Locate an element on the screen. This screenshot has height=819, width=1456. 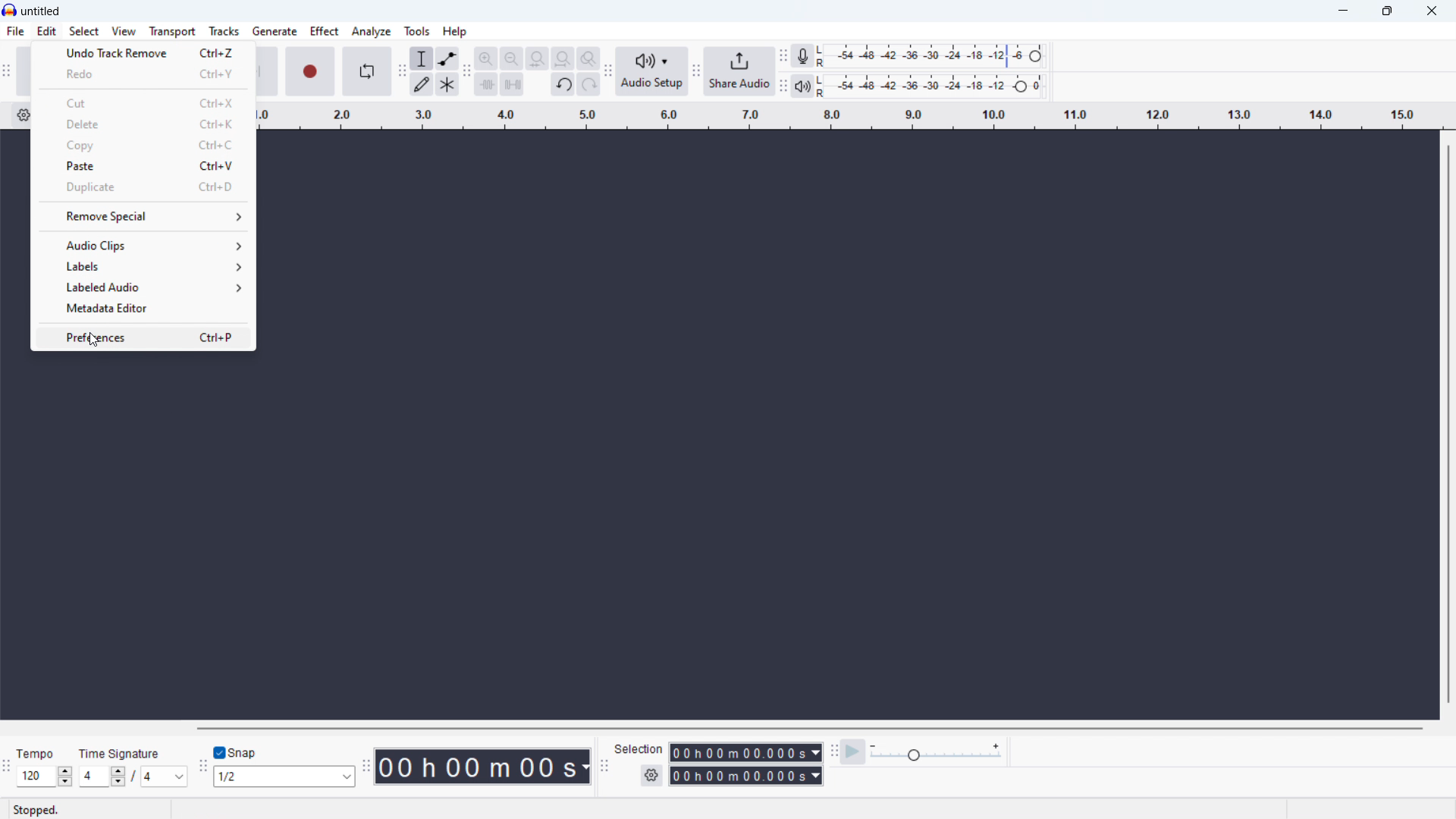
tracks is located at coordinates (224, 31).